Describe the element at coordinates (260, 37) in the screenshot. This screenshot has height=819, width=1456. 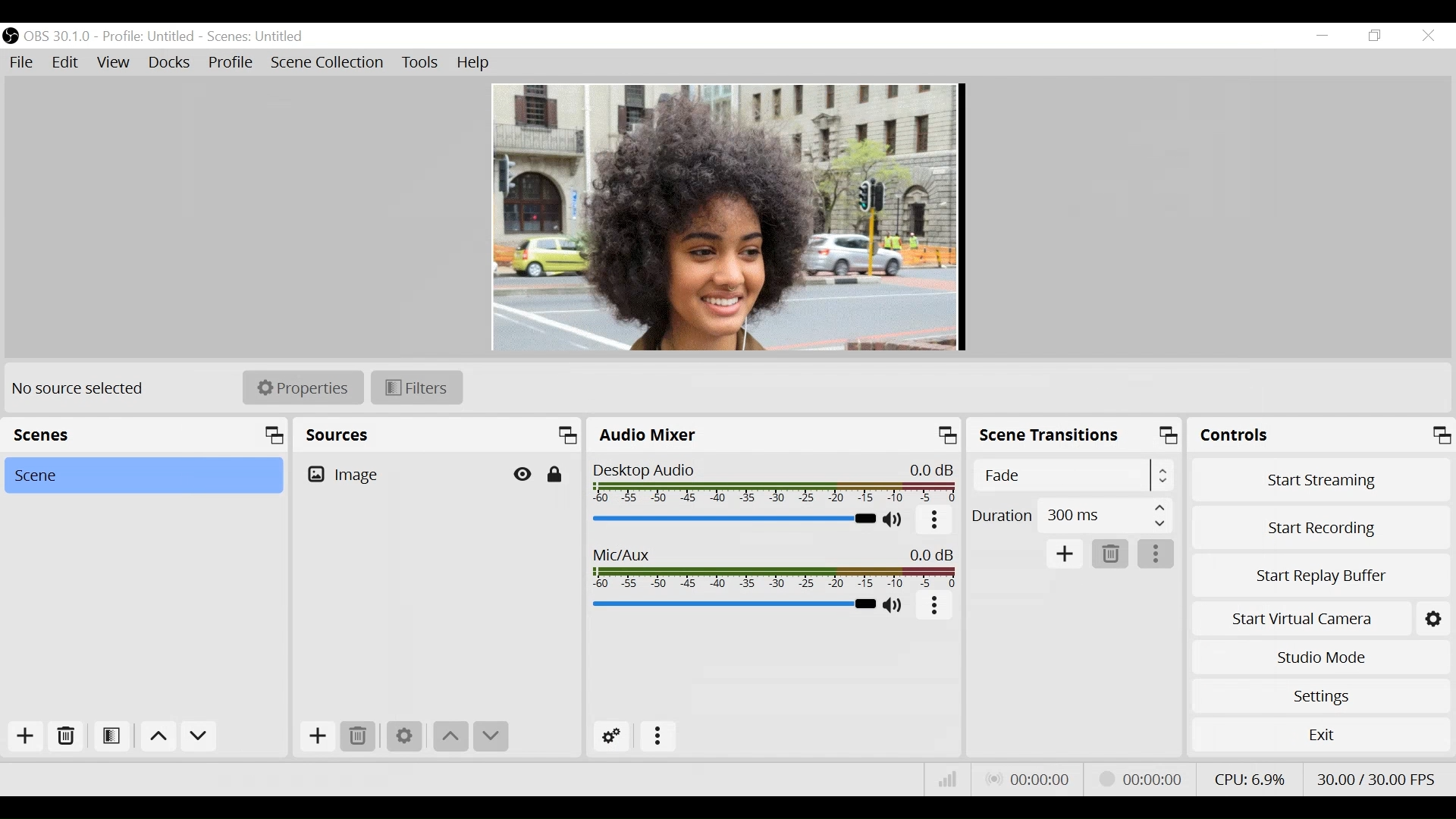
I see `Scene Name` at that location.